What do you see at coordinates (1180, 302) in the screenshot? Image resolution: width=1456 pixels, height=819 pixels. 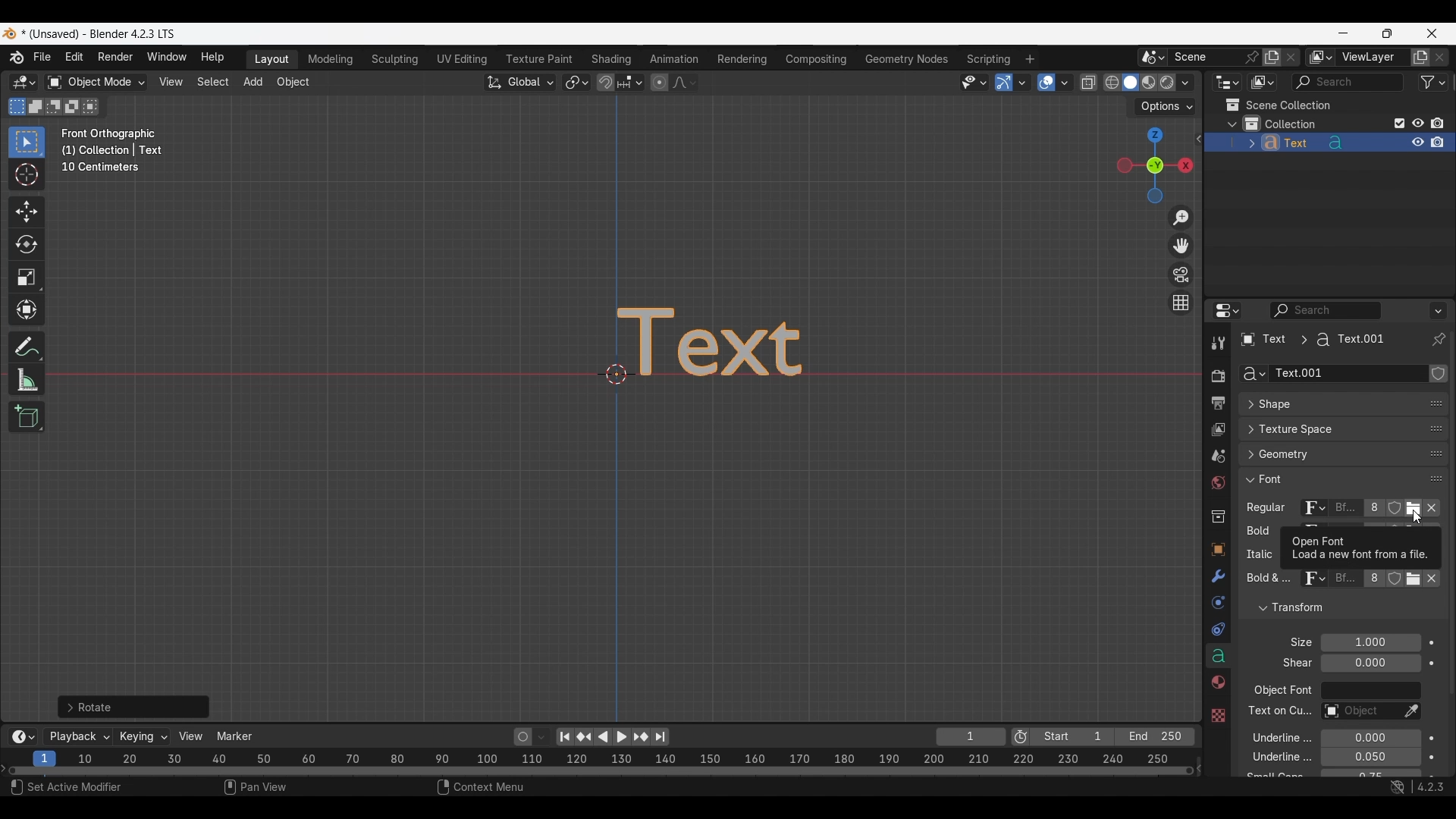 I see `Switch the current view from perspective/orthographic projection` at bounding box center [1180, 302].